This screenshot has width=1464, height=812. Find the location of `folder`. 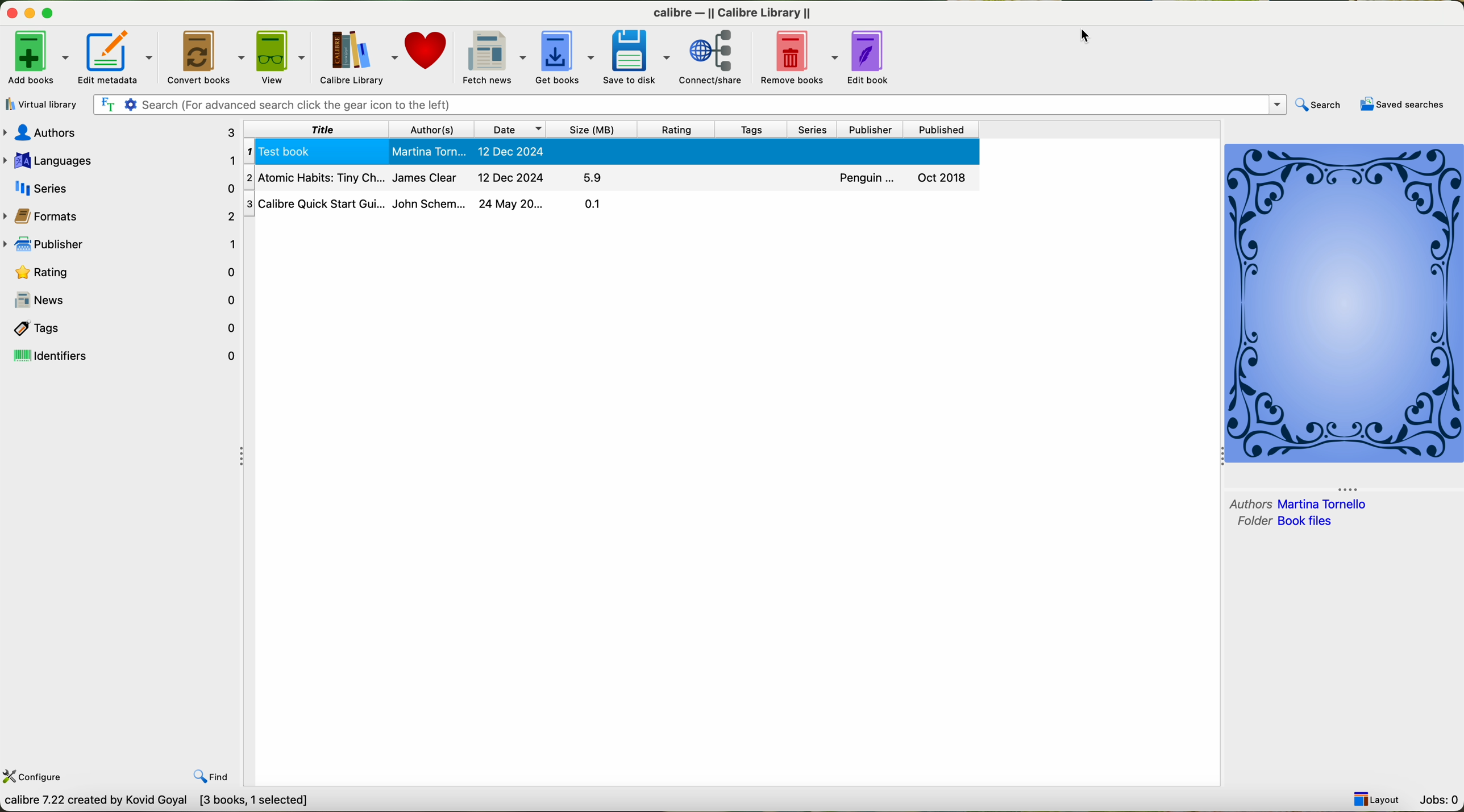

folder is located at coordinates (1284, 526).